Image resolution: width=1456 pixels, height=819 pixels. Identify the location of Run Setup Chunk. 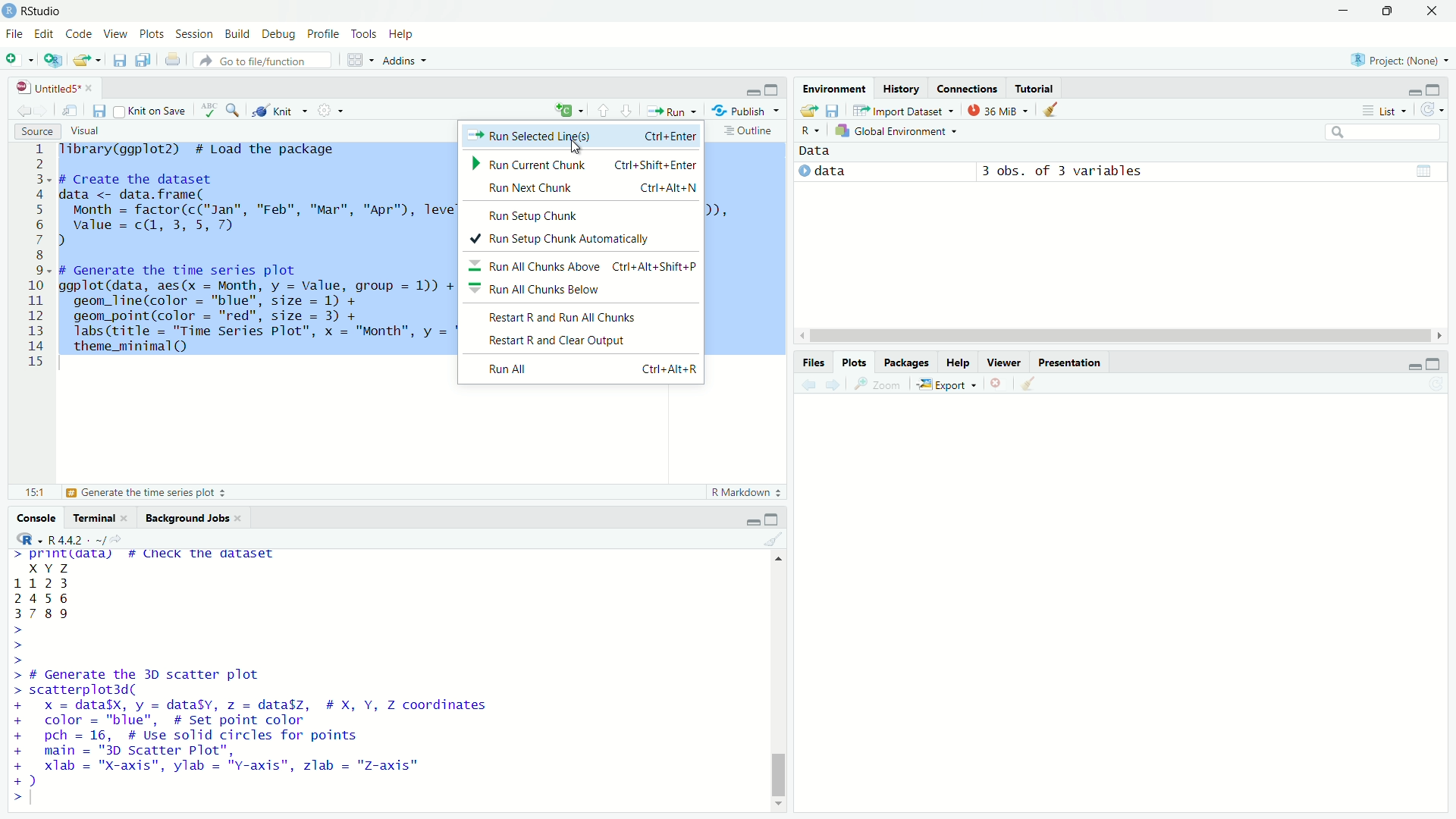
(580, 216).